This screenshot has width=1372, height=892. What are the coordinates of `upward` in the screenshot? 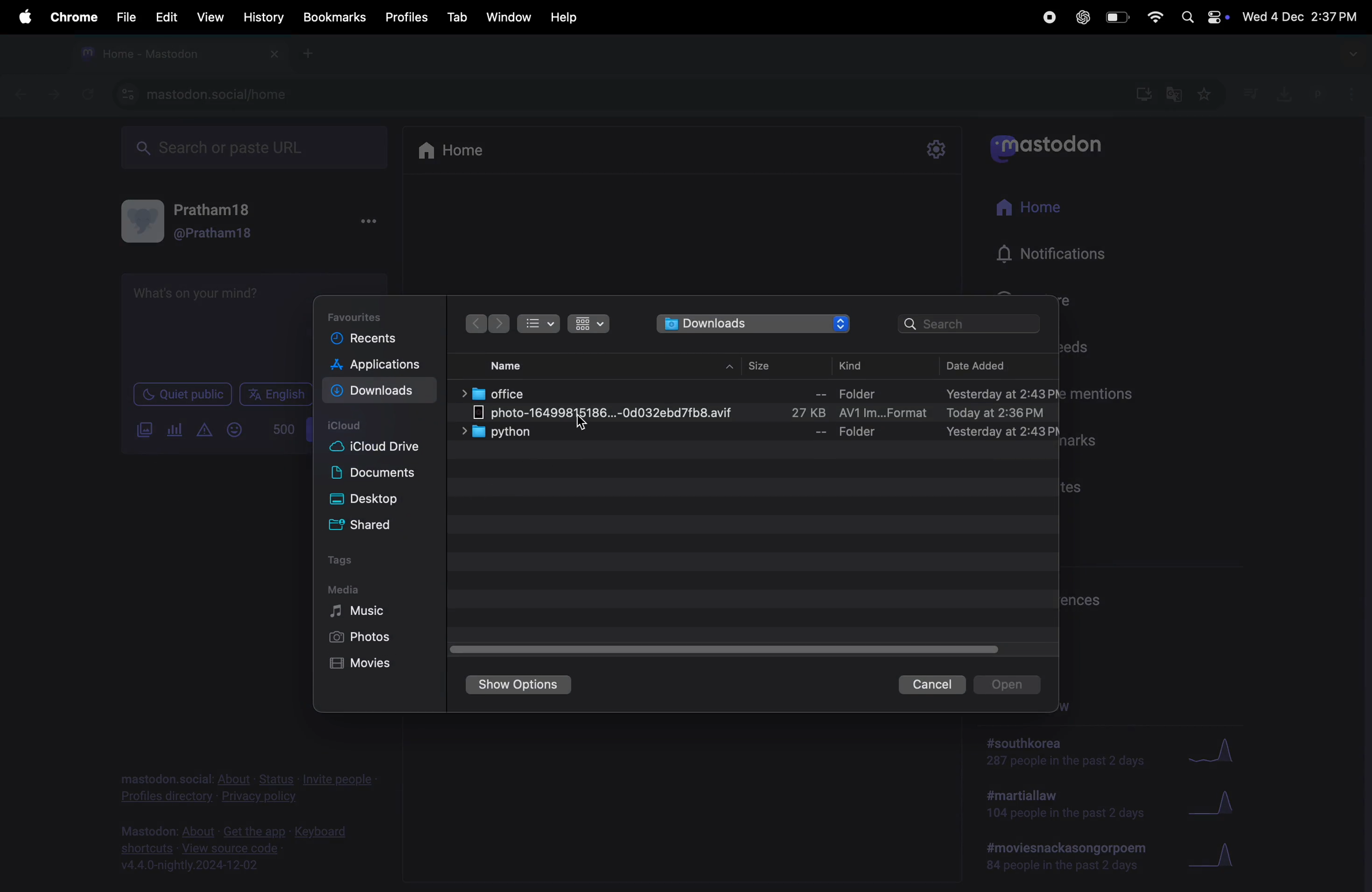 It's located at (732, 368).